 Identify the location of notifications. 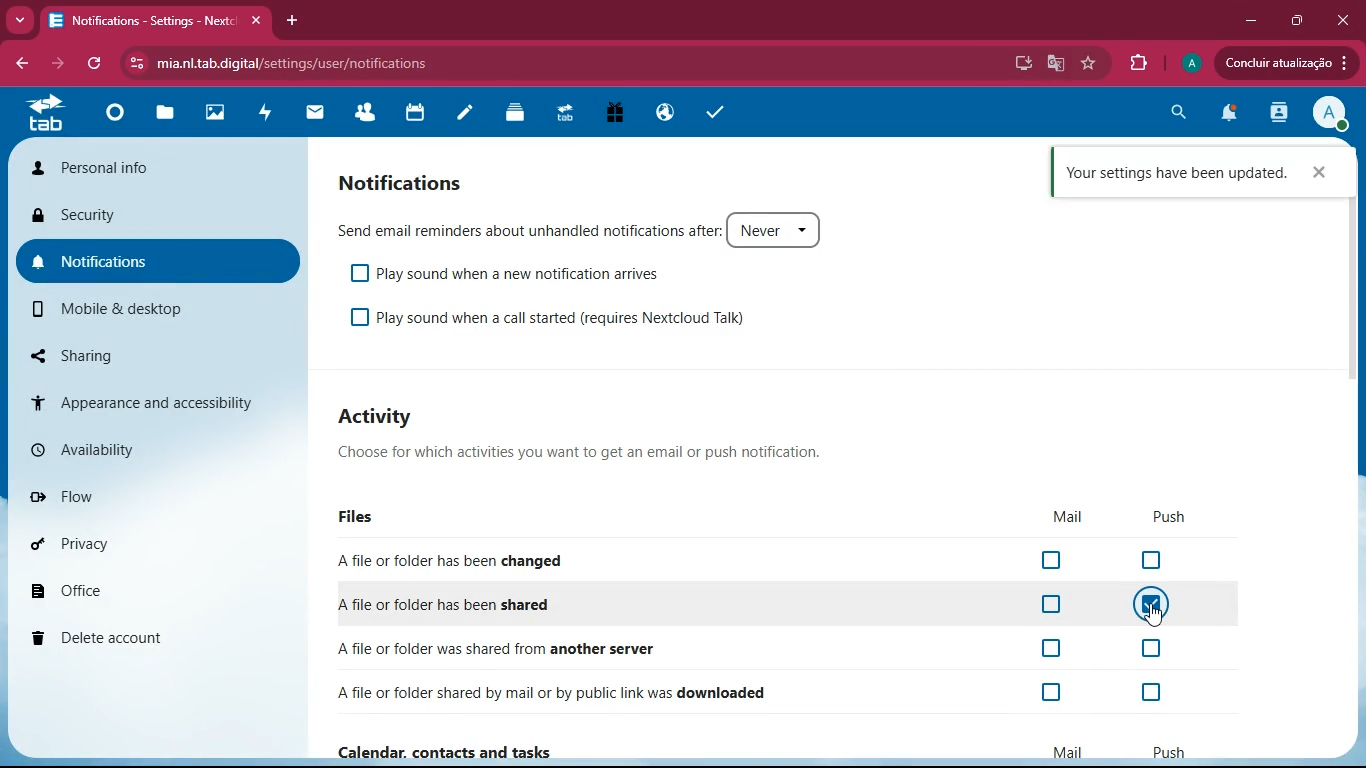
(160, 261).